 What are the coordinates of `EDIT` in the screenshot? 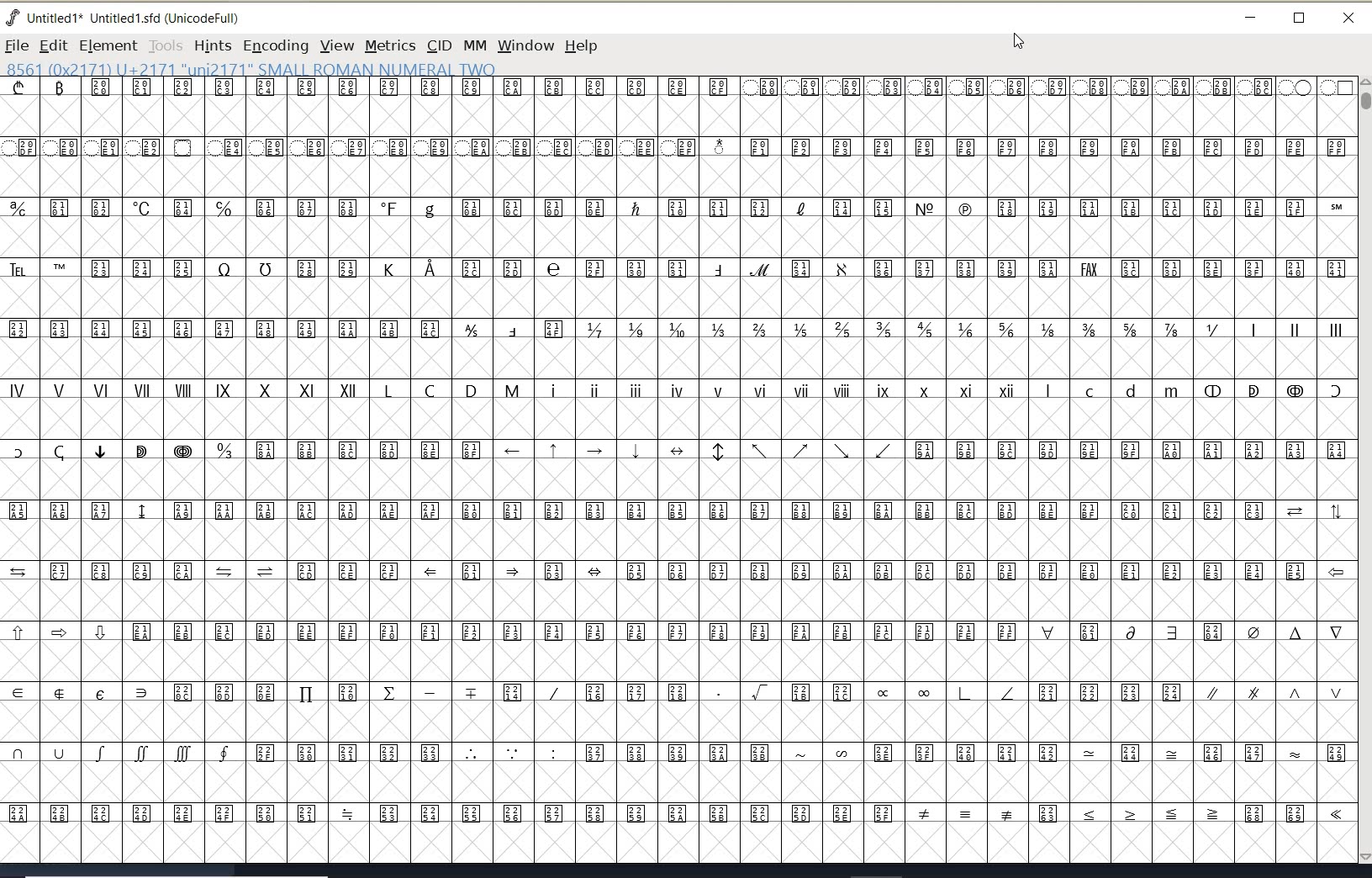 It's located at (53, 45).